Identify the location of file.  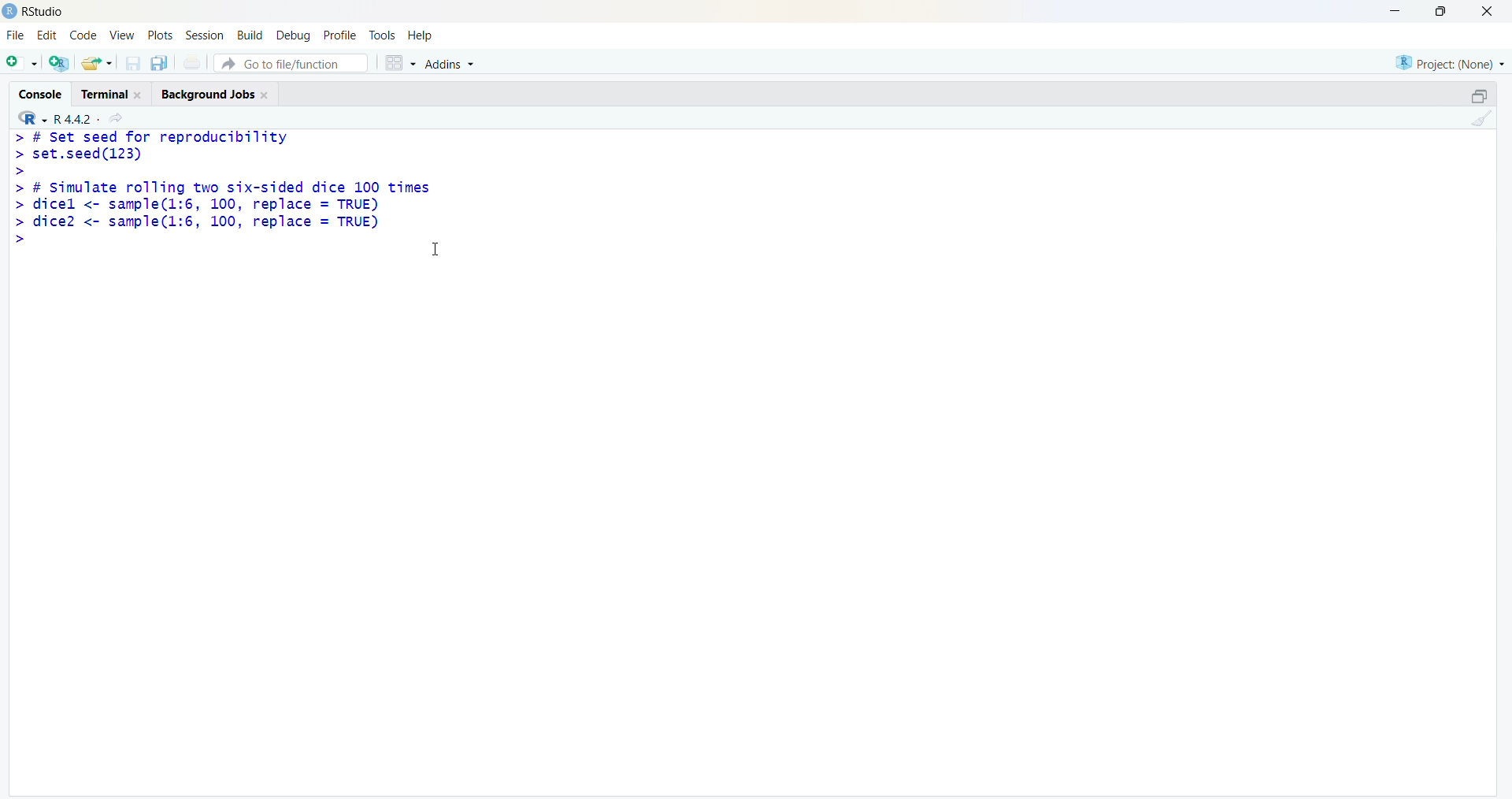
(16, 35).